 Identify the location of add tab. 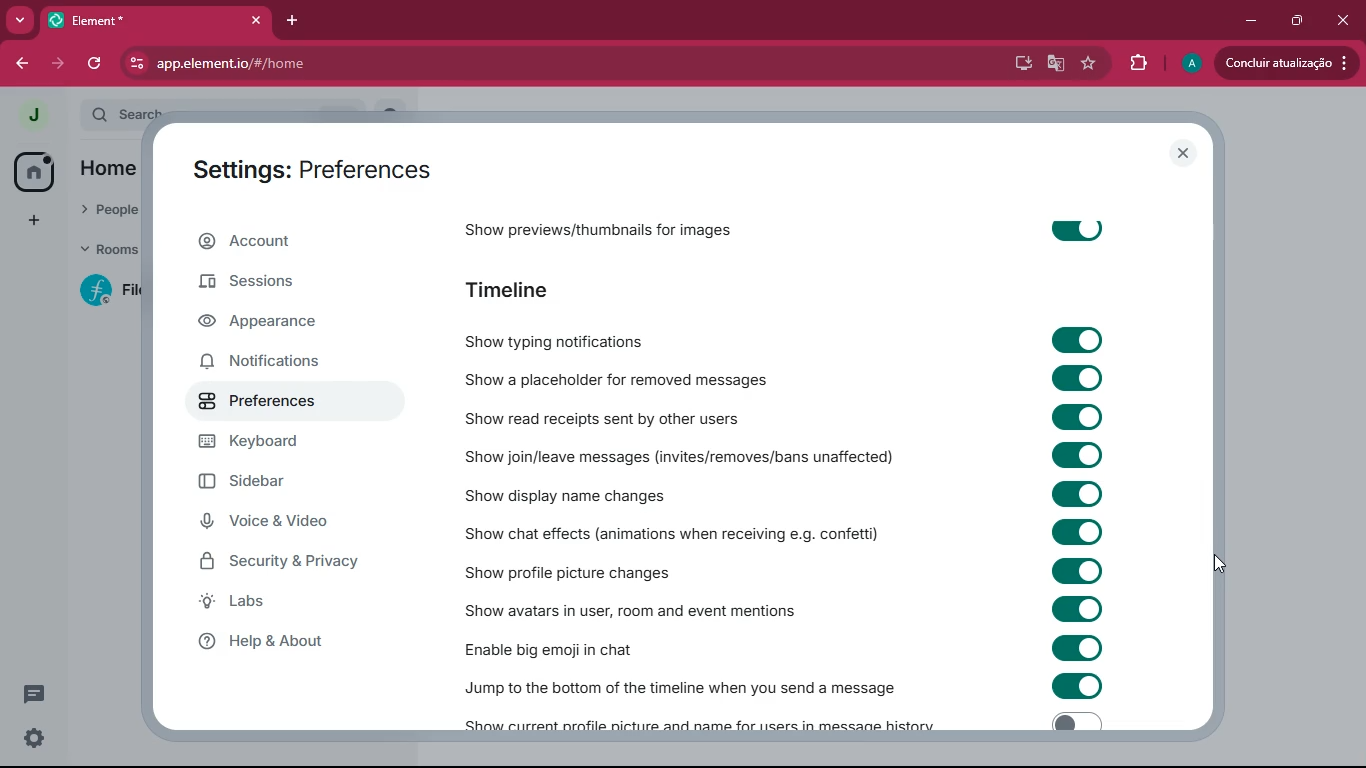
(289, 21).